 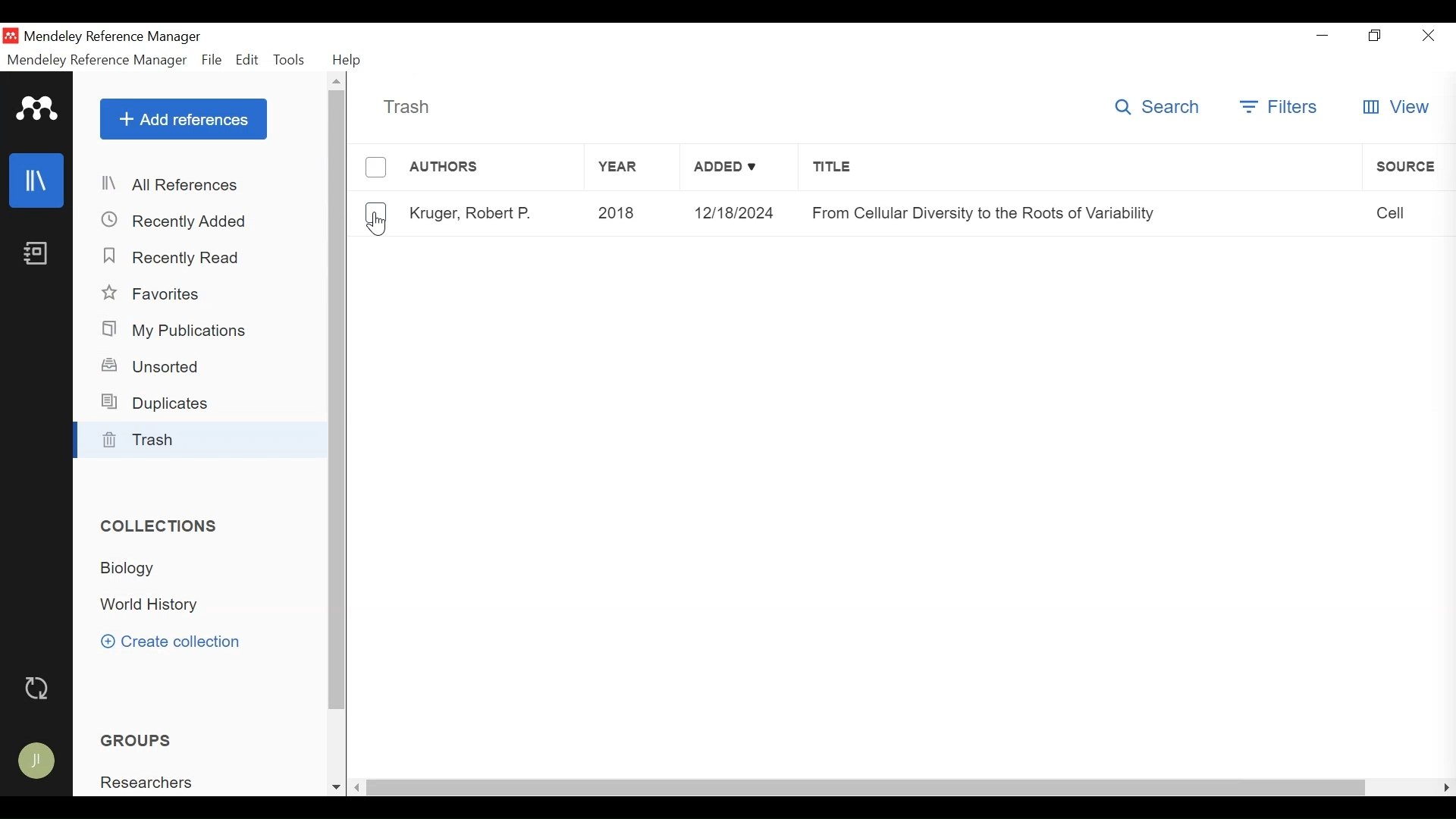 What do you see at coordinates (1410, 212) in the screenshot?
I see `Cell` at bounding box center [1410, 212].